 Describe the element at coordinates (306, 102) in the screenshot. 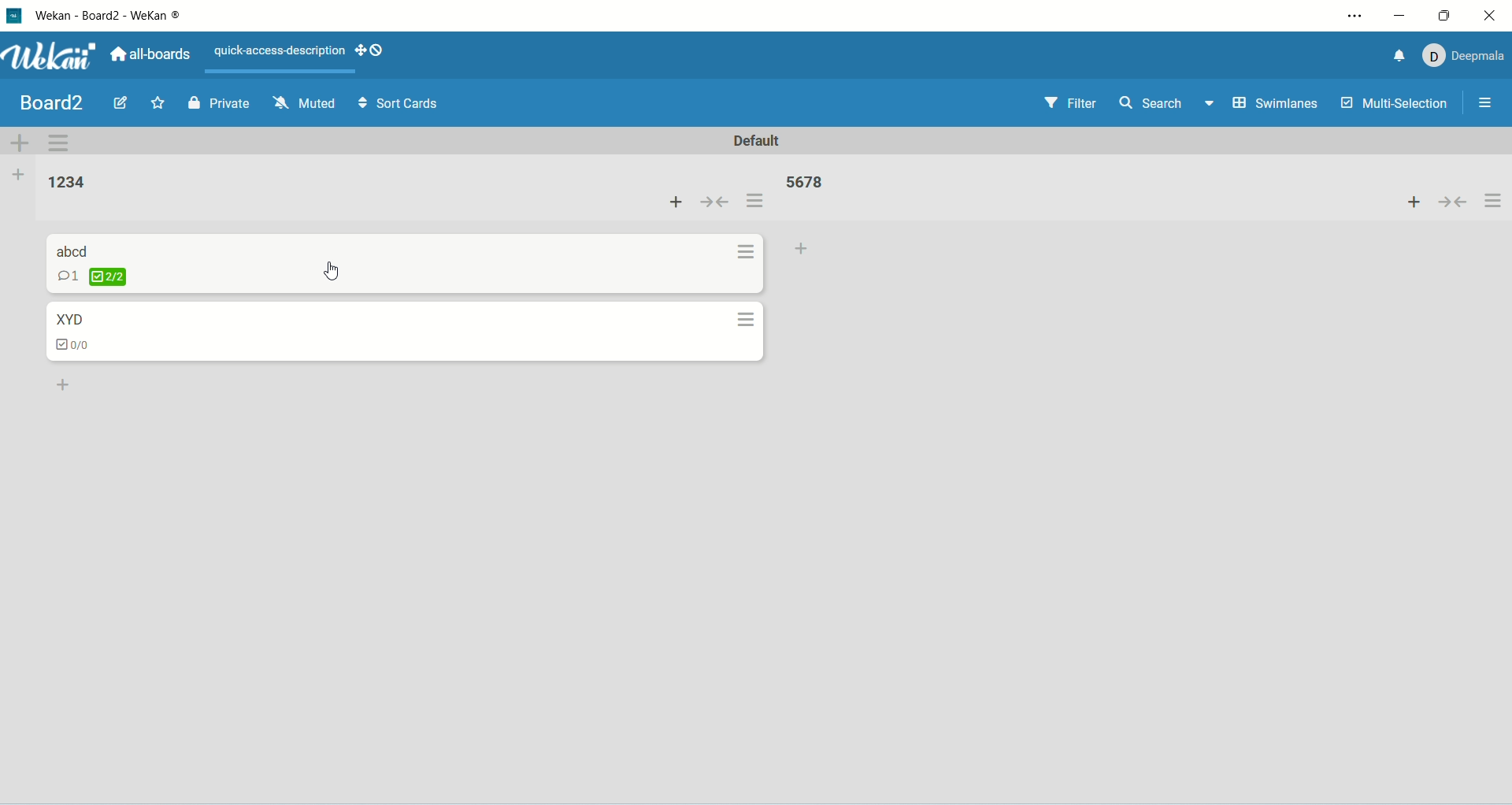

I see `muted` at that location.